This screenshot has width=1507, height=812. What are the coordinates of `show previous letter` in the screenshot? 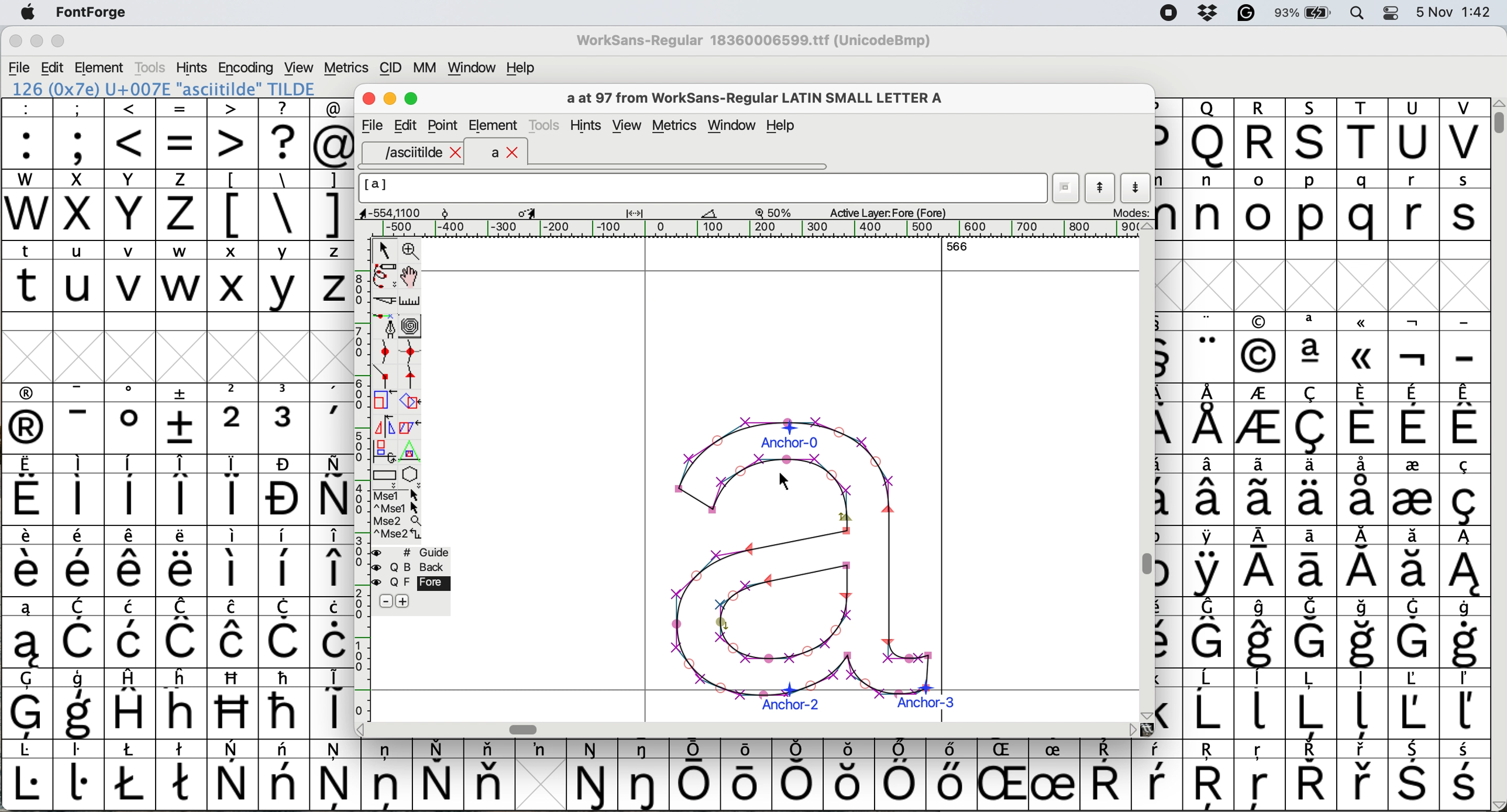 It's located at (1100, 188).